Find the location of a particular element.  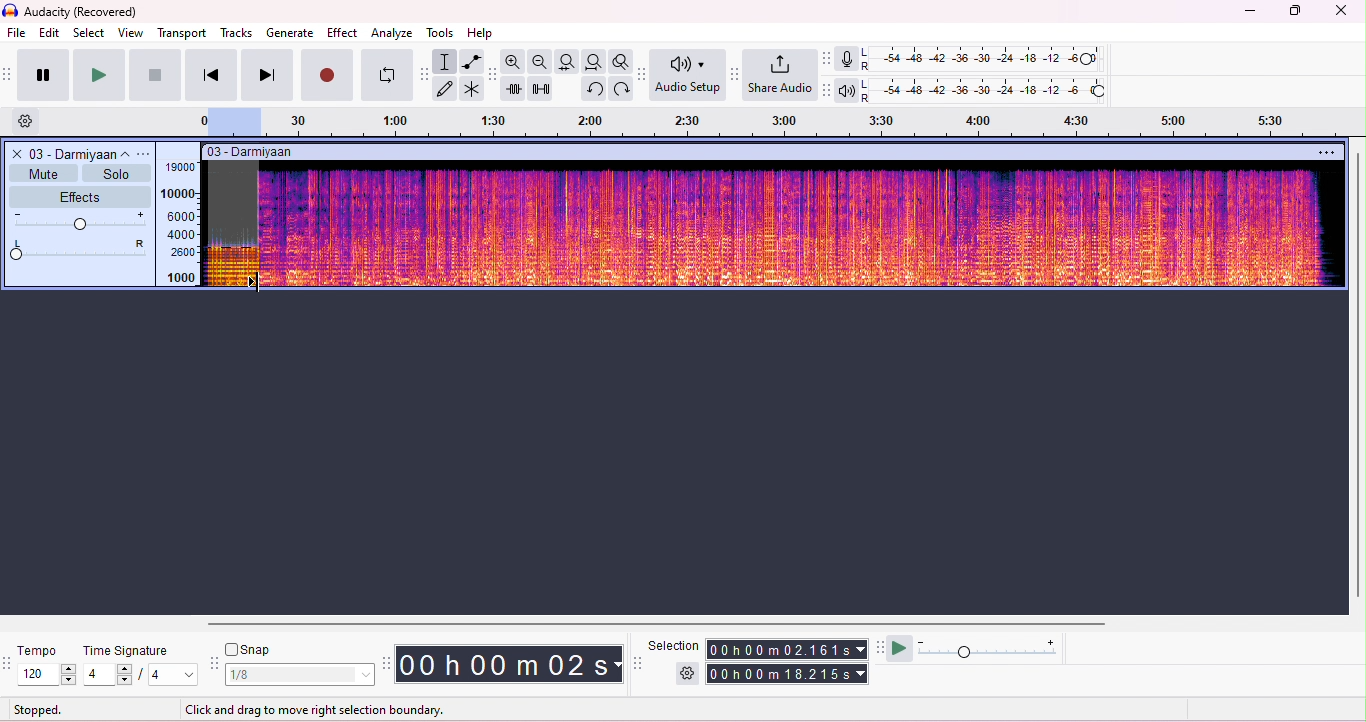

Audio setup is located at coordinates (687, 75).